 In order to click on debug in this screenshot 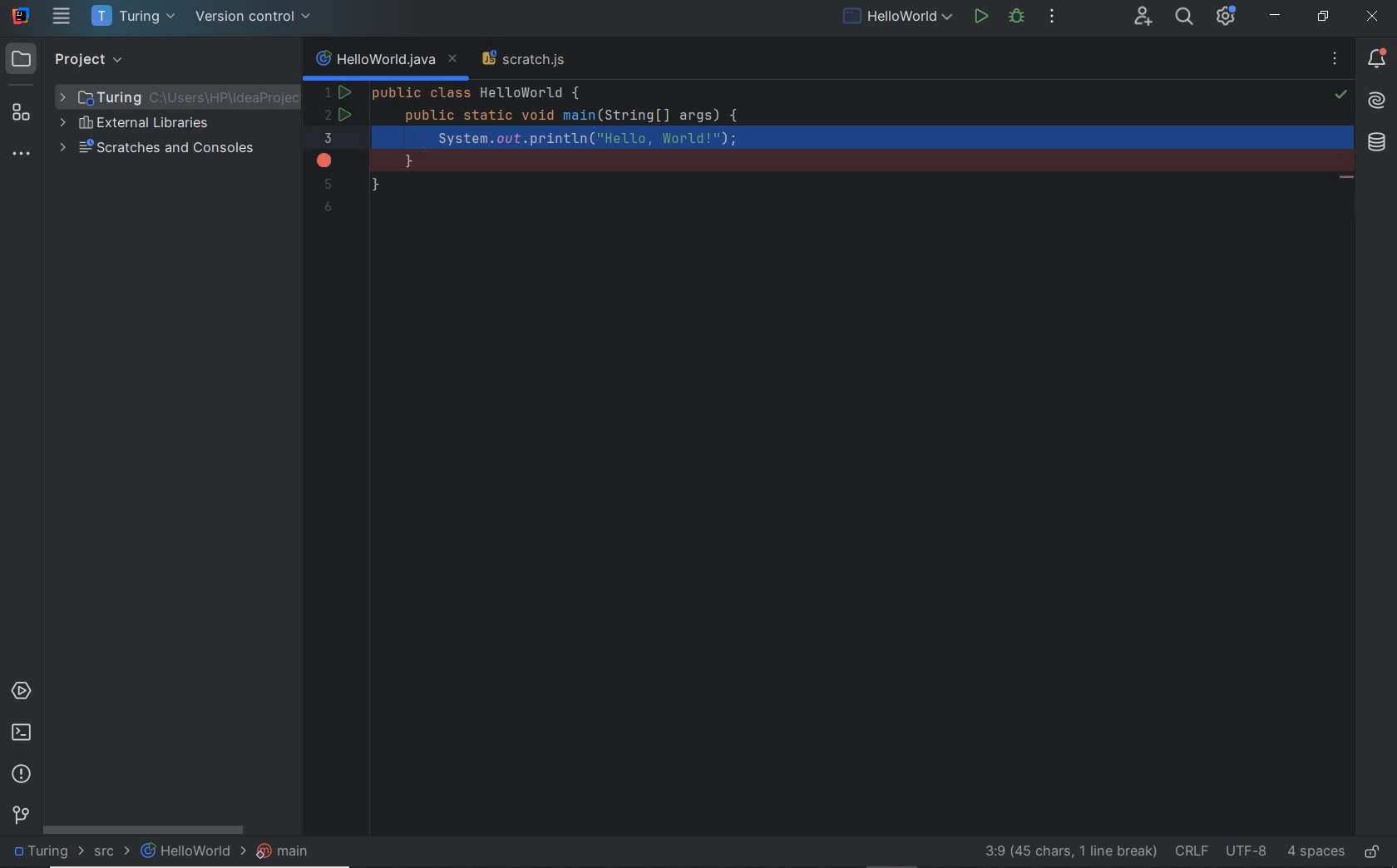, I will do `click(1016, 18)`.